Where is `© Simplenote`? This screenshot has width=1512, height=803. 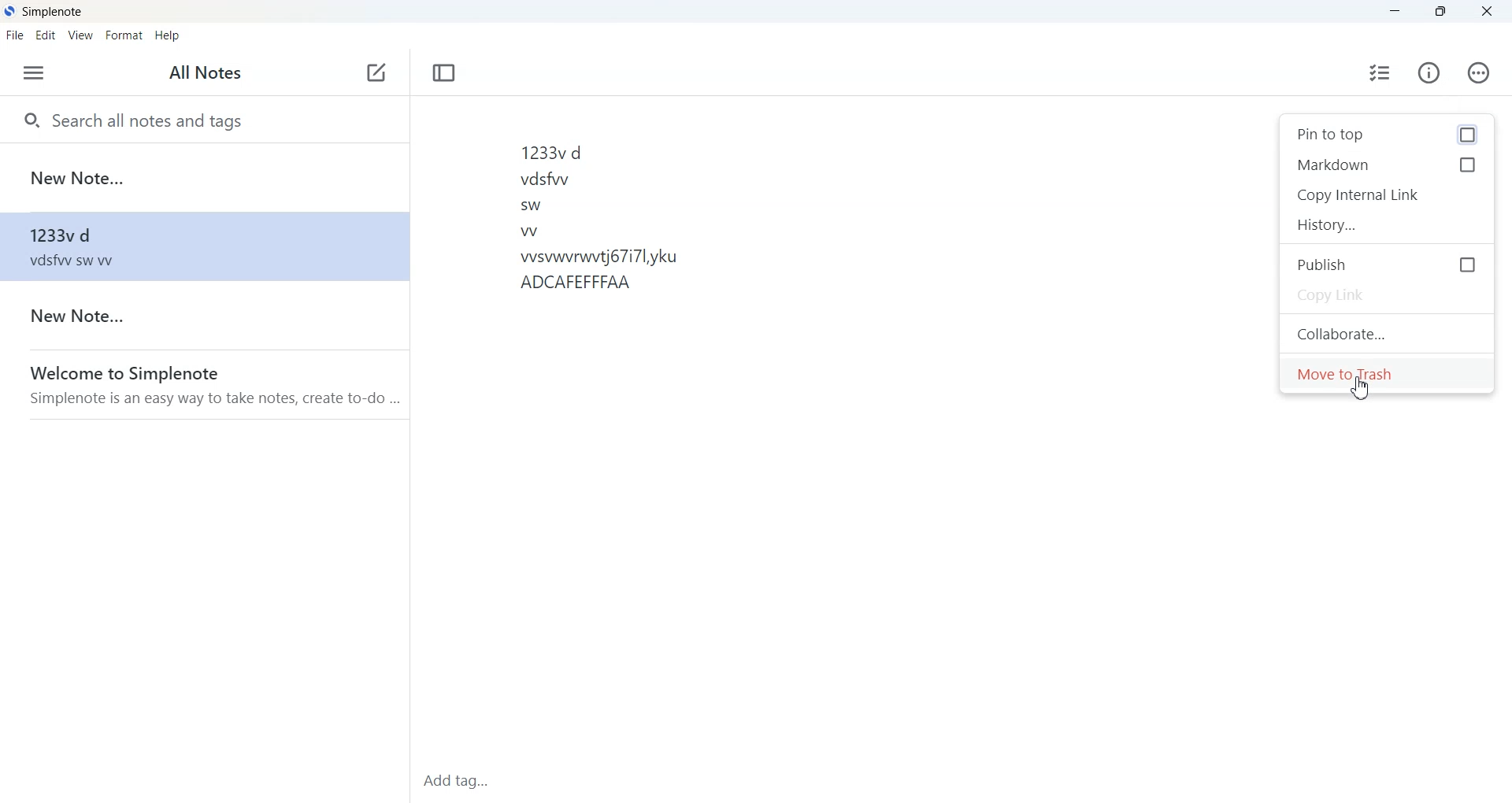 © Simplenote is located at coordinates (47, 13).